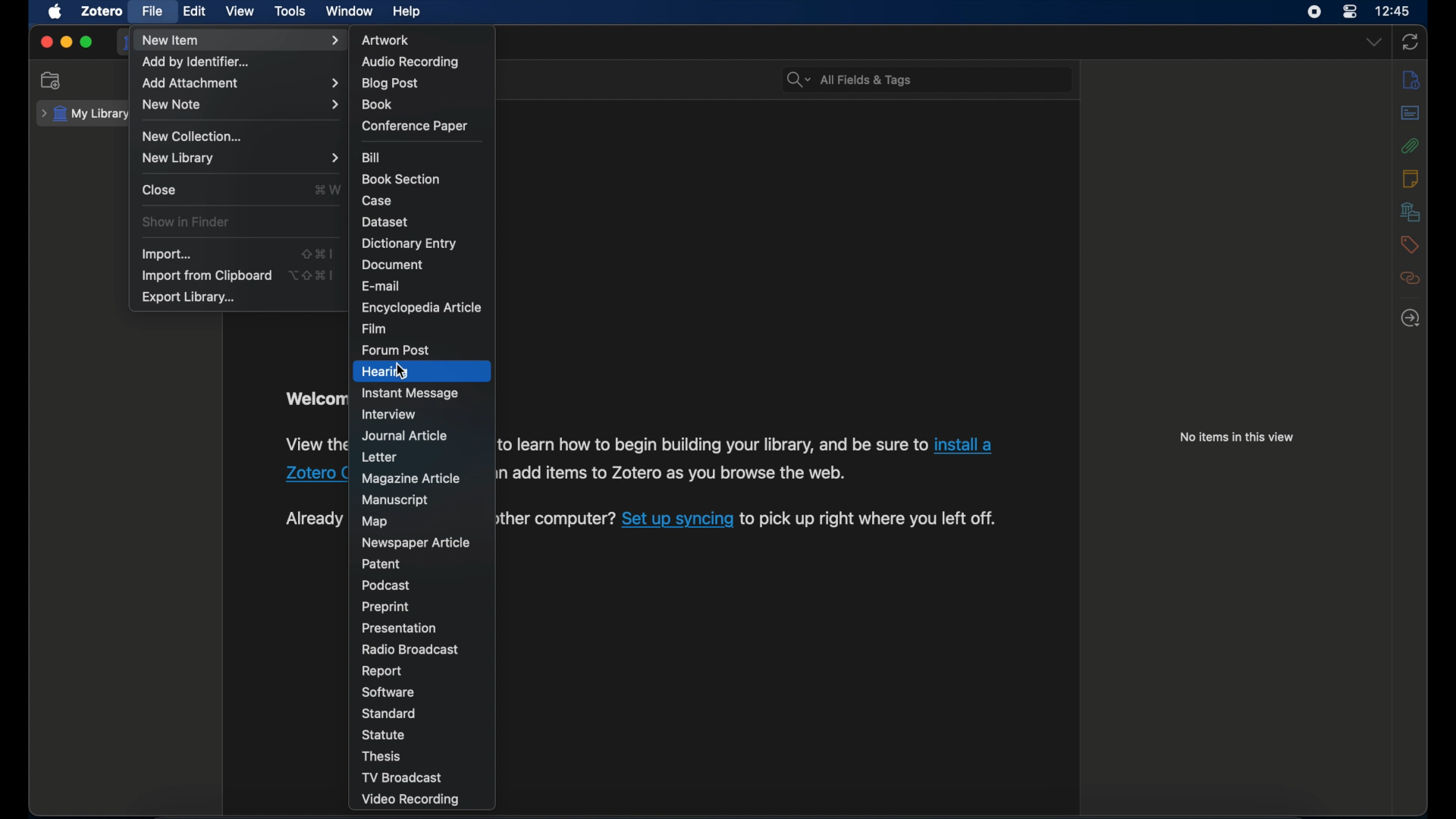  What do you see at coordinates (849, 80) in the screenshot?
I see `search` at bounding box center [849, 80].